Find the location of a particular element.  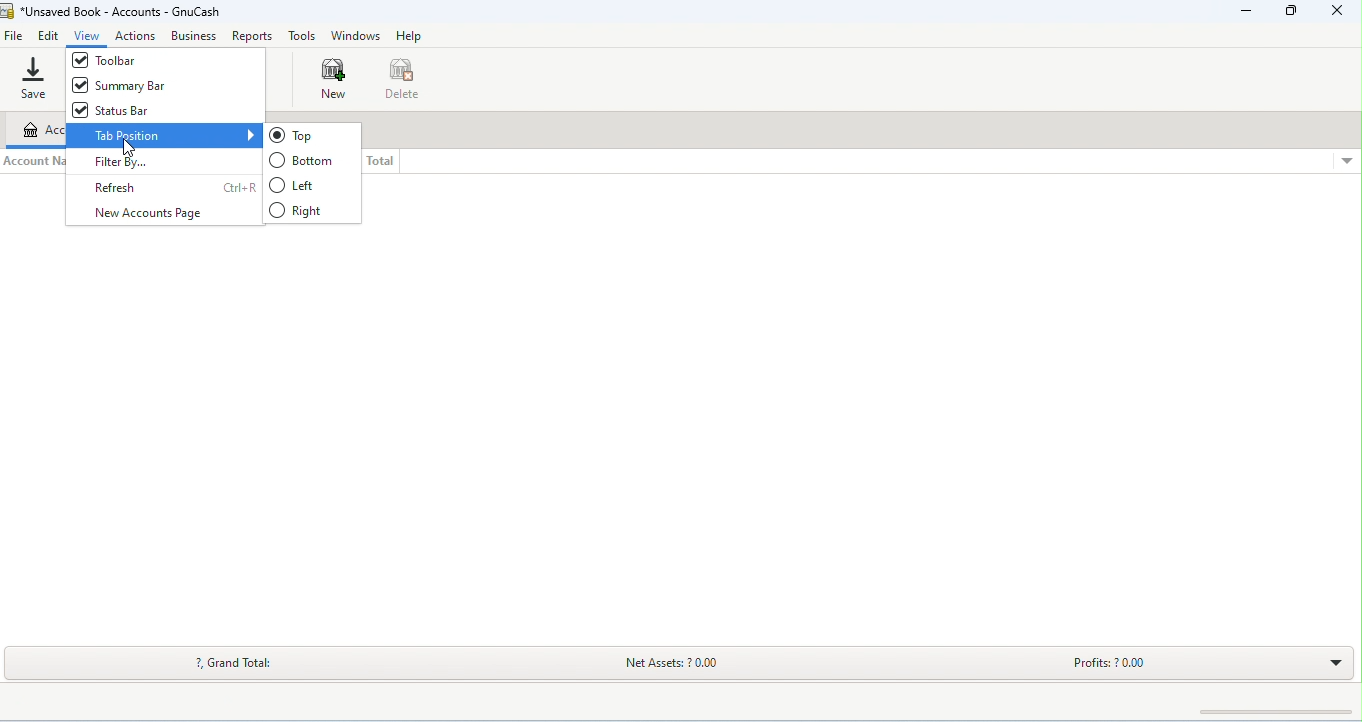

actions is located at coordinates (135, 37).